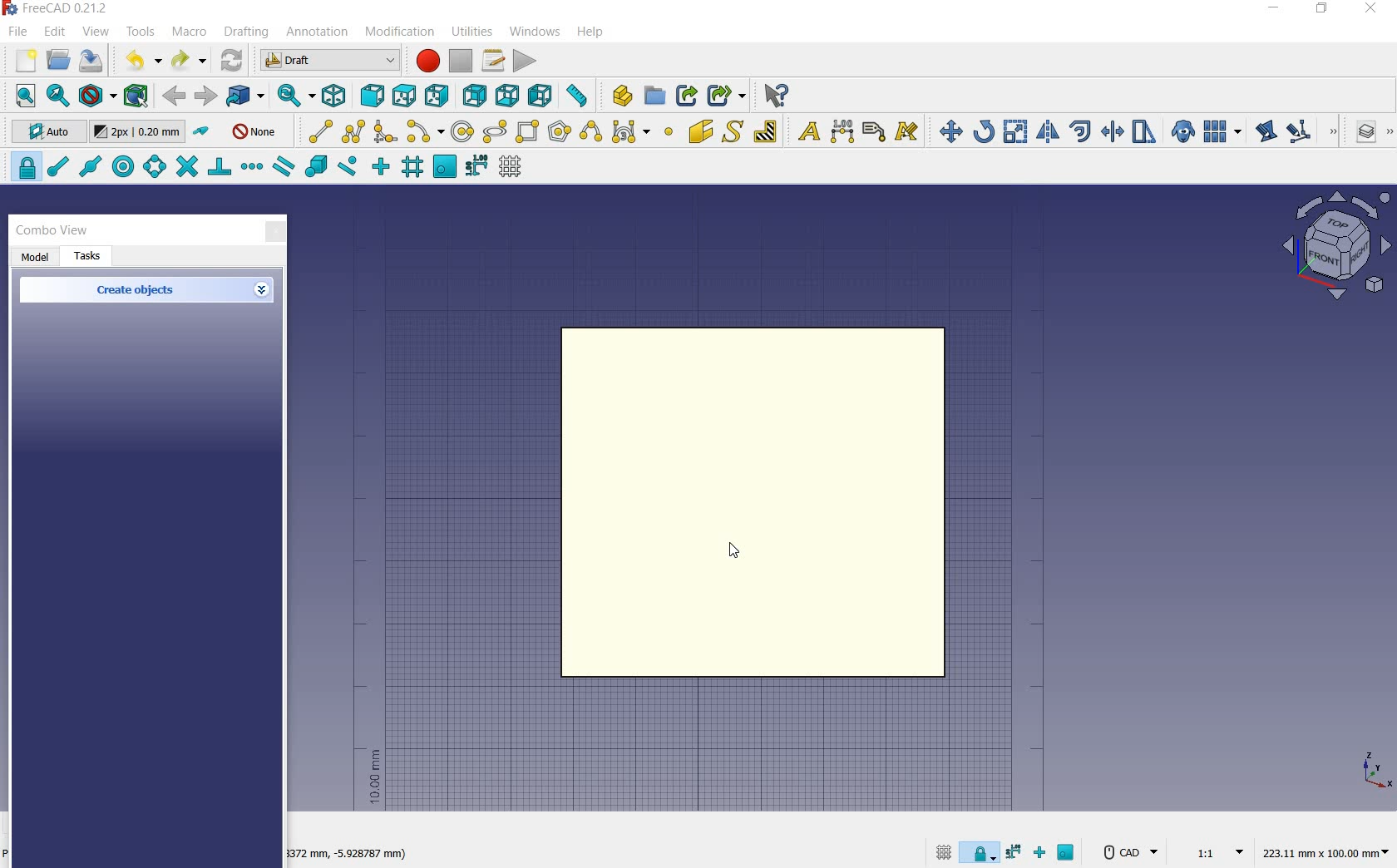 Image resolution: width=1397 pixels, height=868 pixels. I want to click on snap ortho, so click(381, 167).